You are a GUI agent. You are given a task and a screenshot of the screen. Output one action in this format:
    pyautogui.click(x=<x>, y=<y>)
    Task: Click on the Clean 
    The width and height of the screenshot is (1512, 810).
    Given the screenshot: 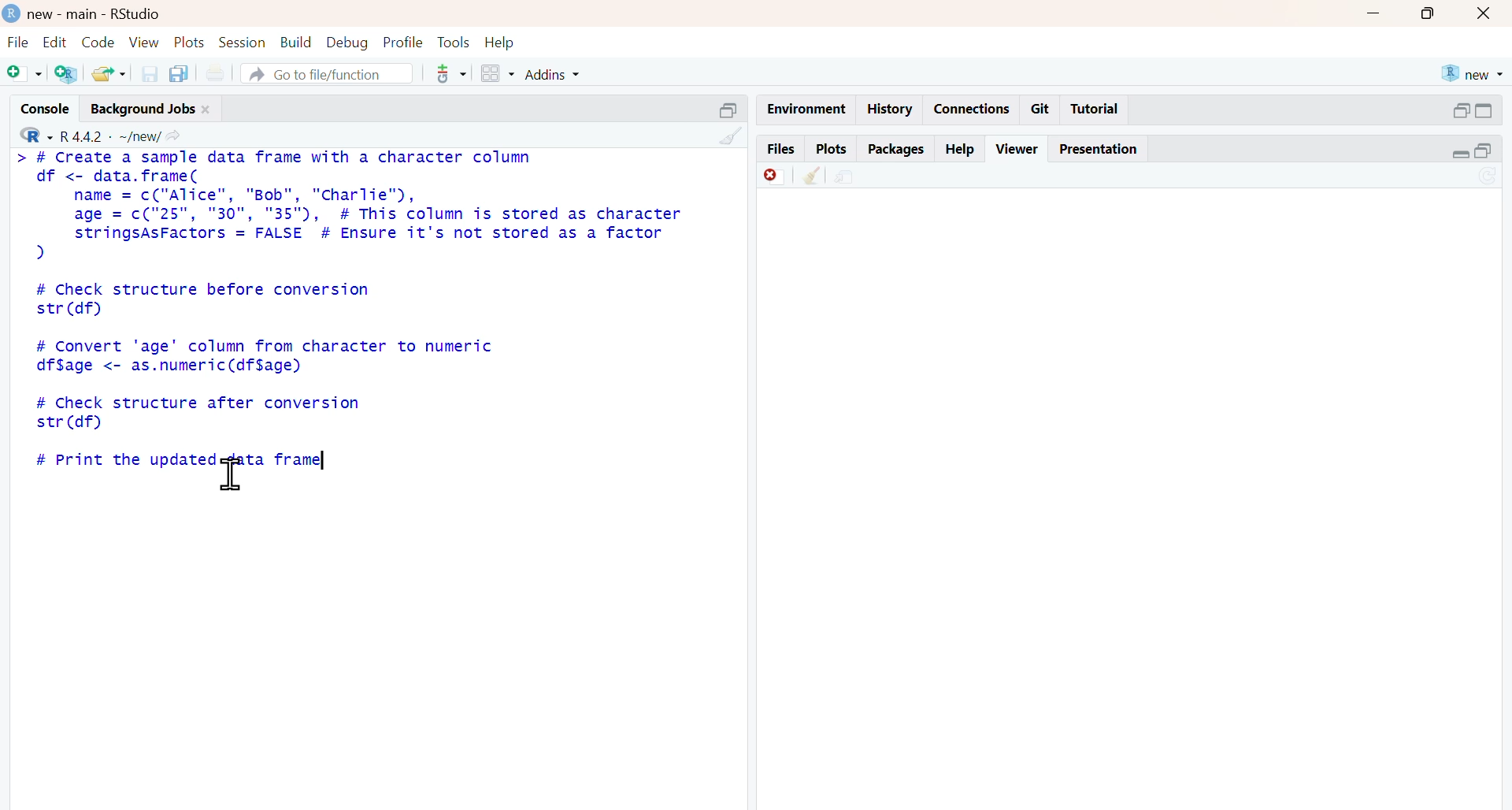 What is the action you would take?
    pyautogui.click(x=812, y=175)
    